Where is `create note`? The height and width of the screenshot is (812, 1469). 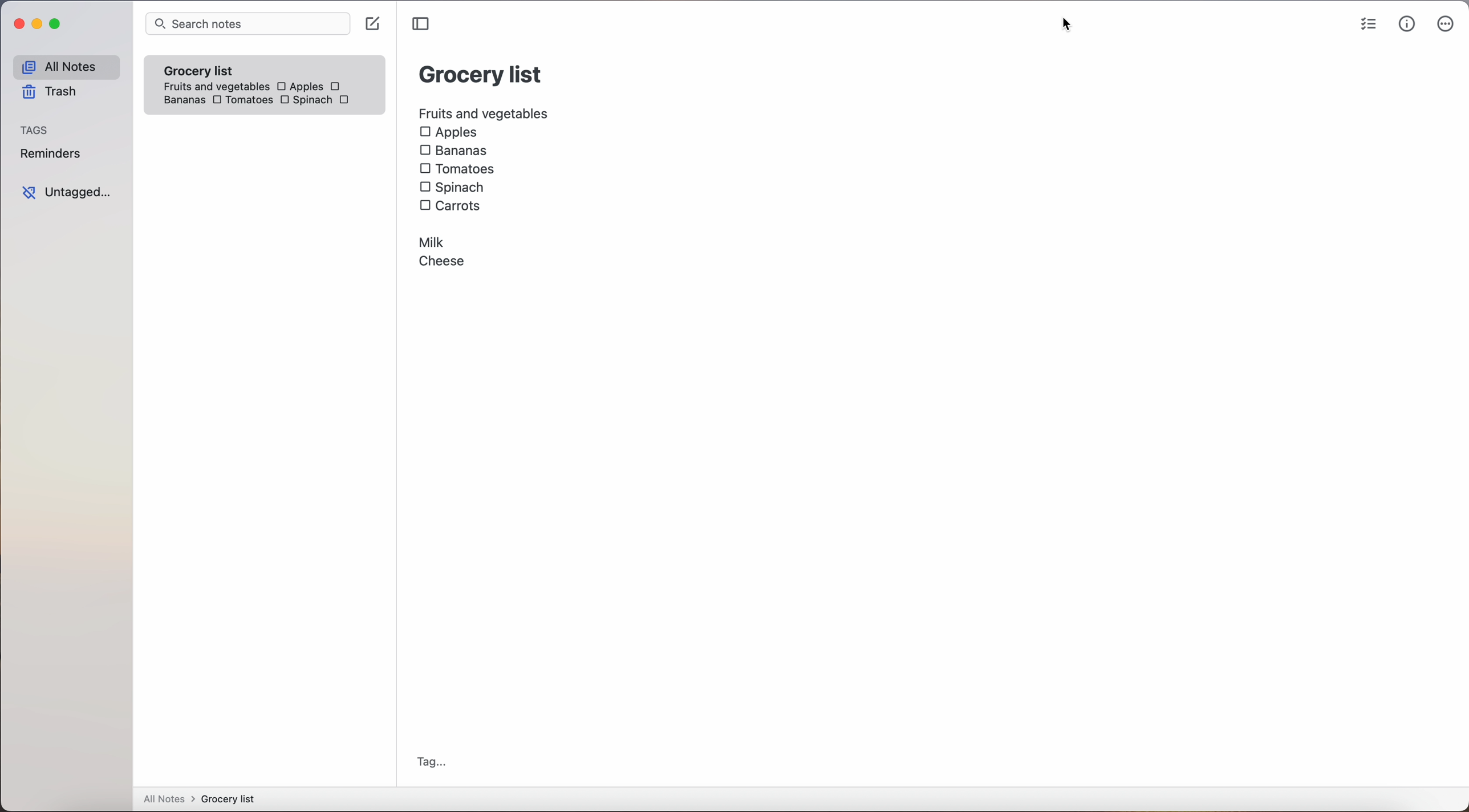
create note is located at coordinates (375, 25).